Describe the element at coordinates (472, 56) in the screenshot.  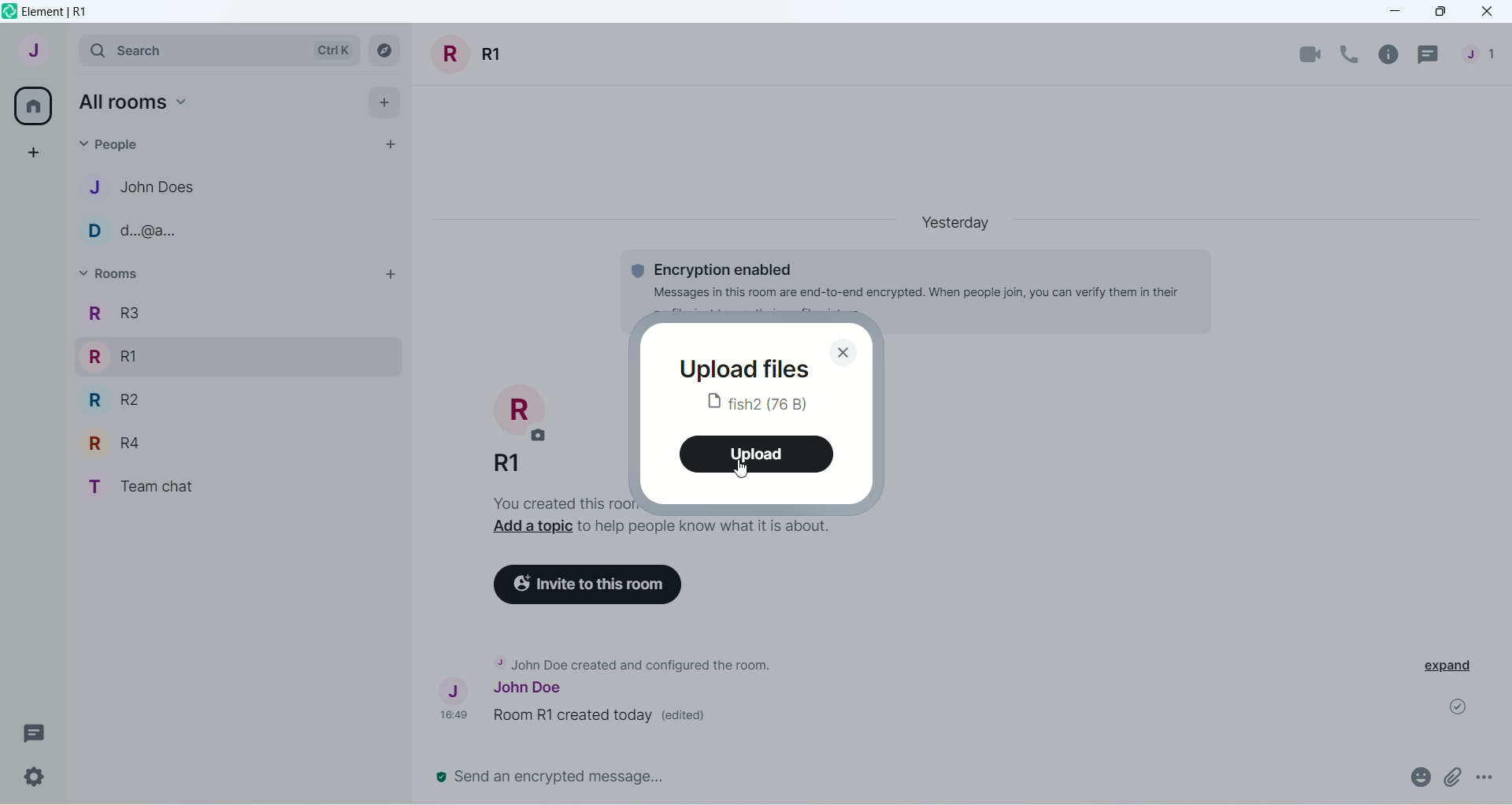
I see `room title` at that location.